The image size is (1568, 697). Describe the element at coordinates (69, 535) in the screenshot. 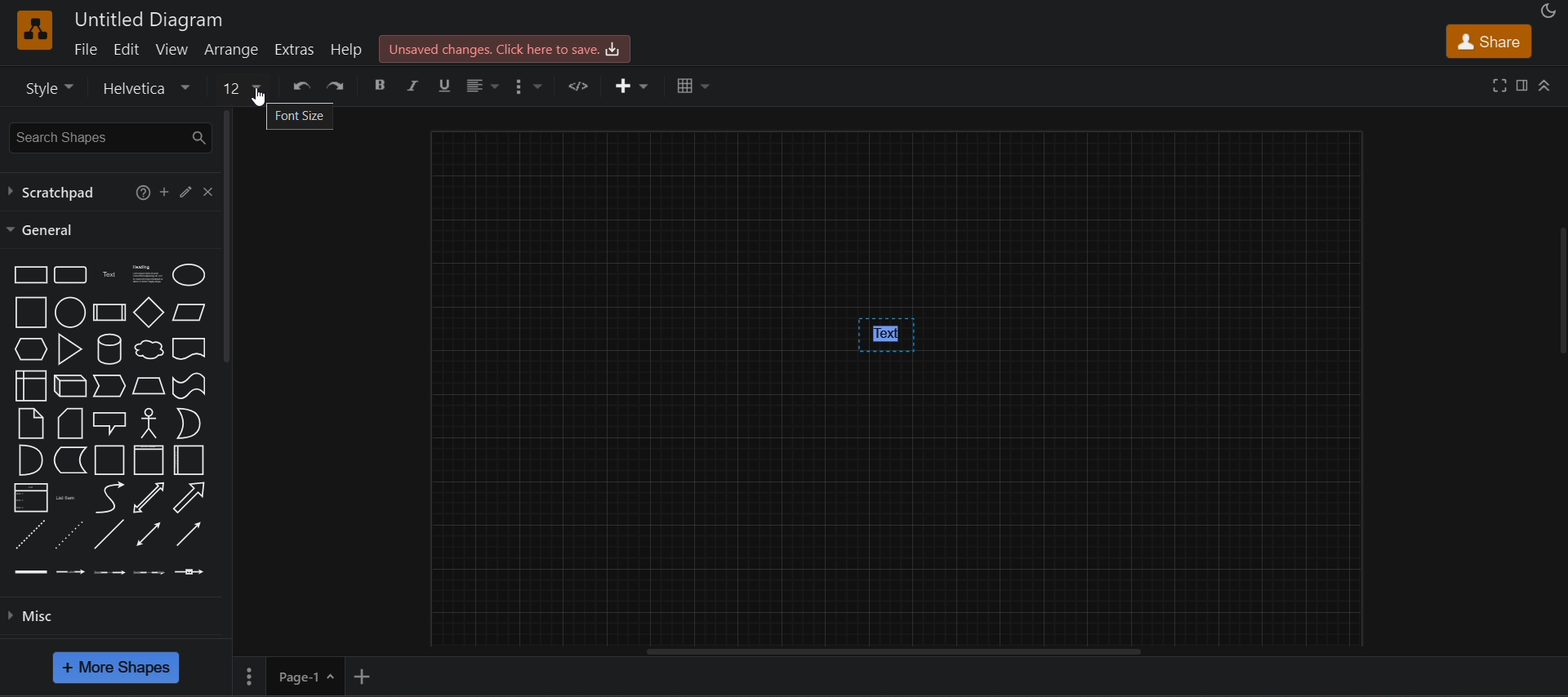

I see `Dotted line` at that location.